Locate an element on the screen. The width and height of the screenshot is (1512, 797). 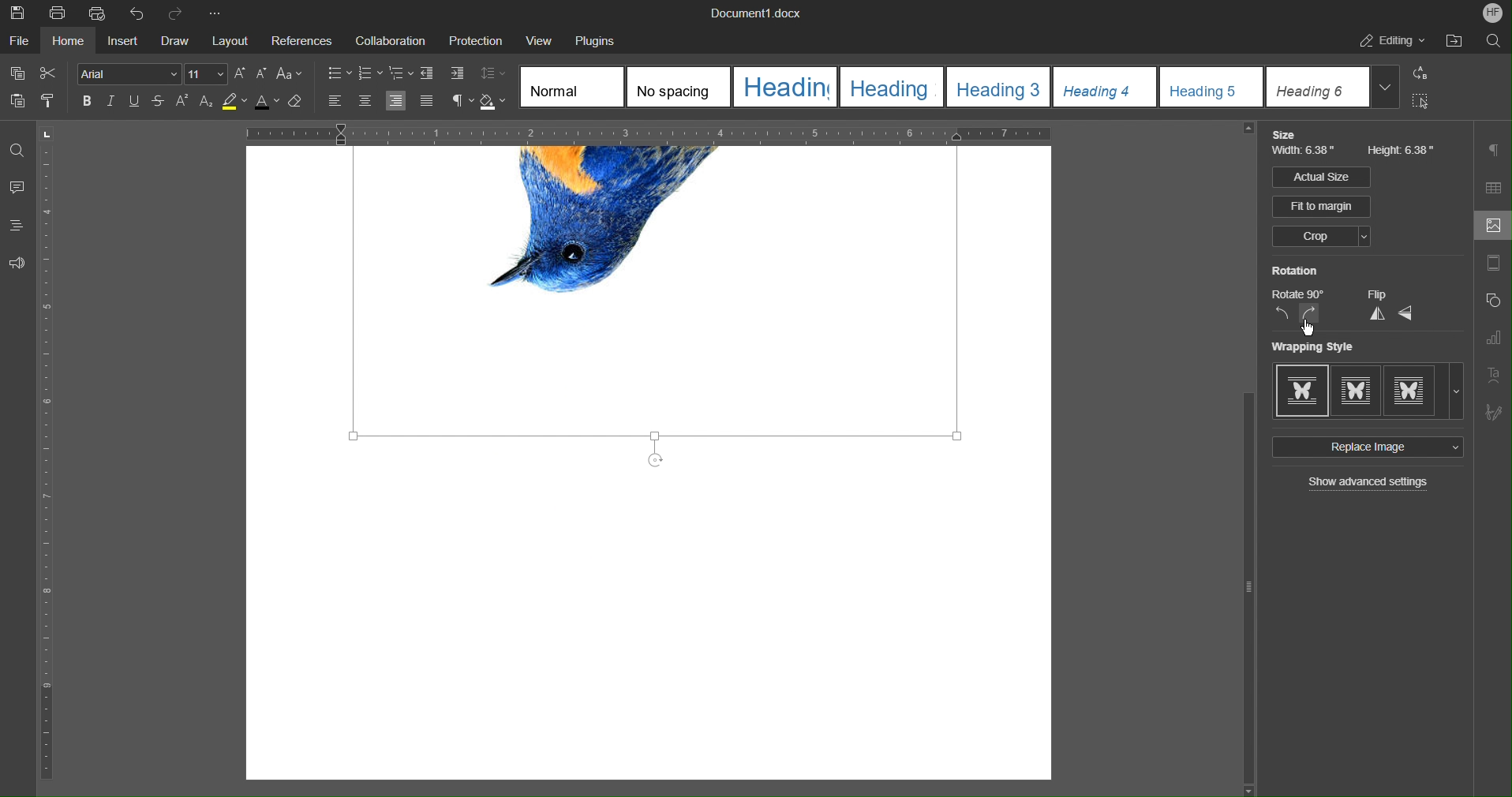
Decrease Font Size is located at coordinates (260, 74).